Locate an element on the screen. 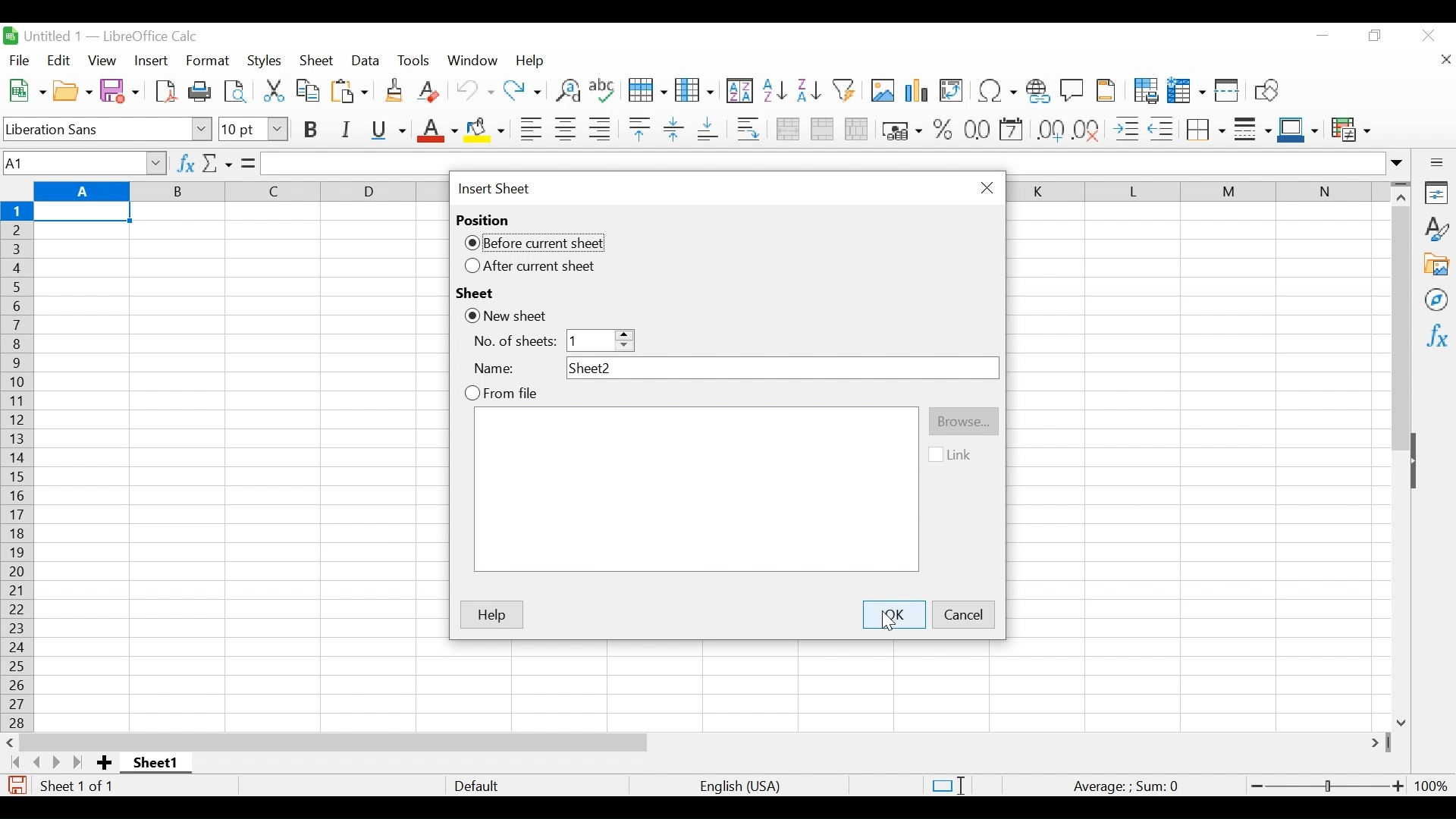 The image size is (1456, 819). Insert Comment is located at coordinates (1071, 92).